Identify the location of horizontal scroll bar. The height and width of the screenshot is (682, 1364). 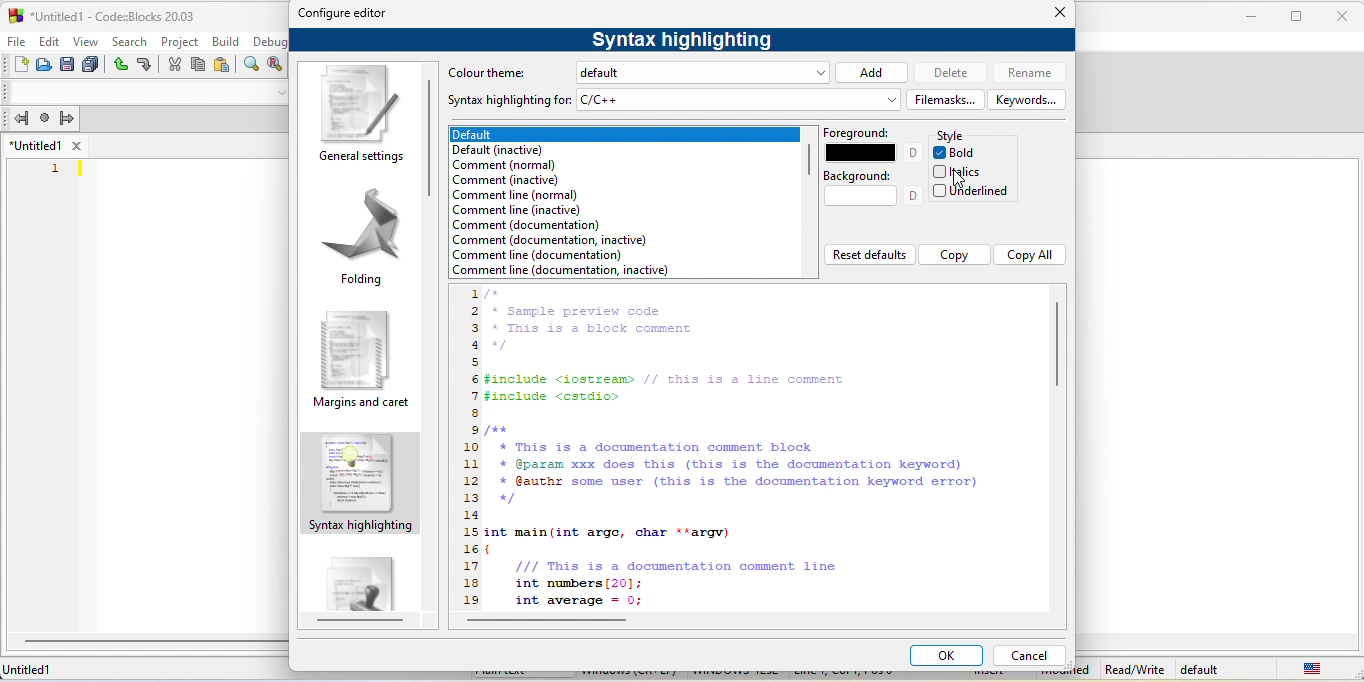
(155, 641).